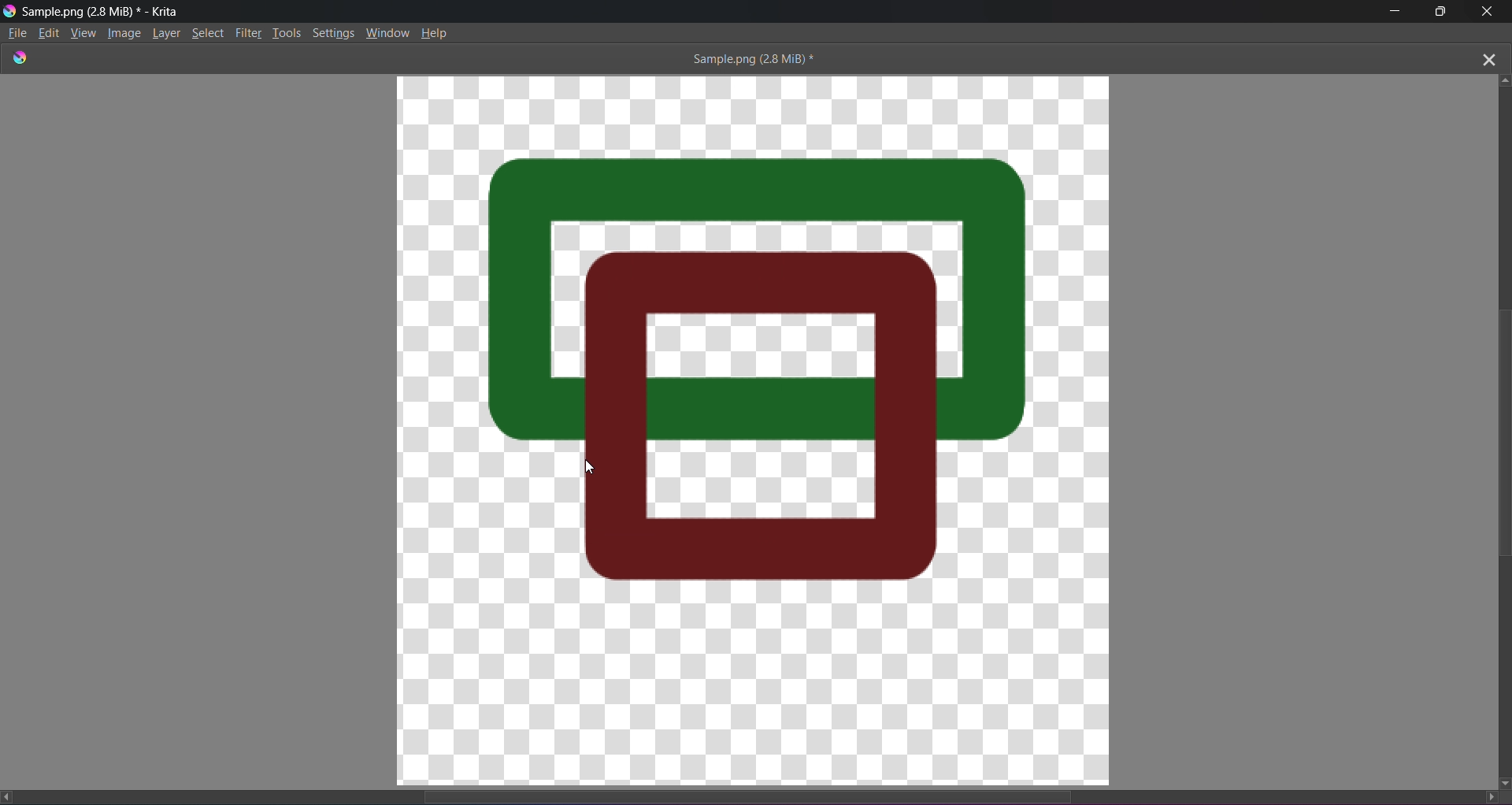  Describe the element at coordinates (10, 796) in the screenshot. I see `Scroll left` at that location.